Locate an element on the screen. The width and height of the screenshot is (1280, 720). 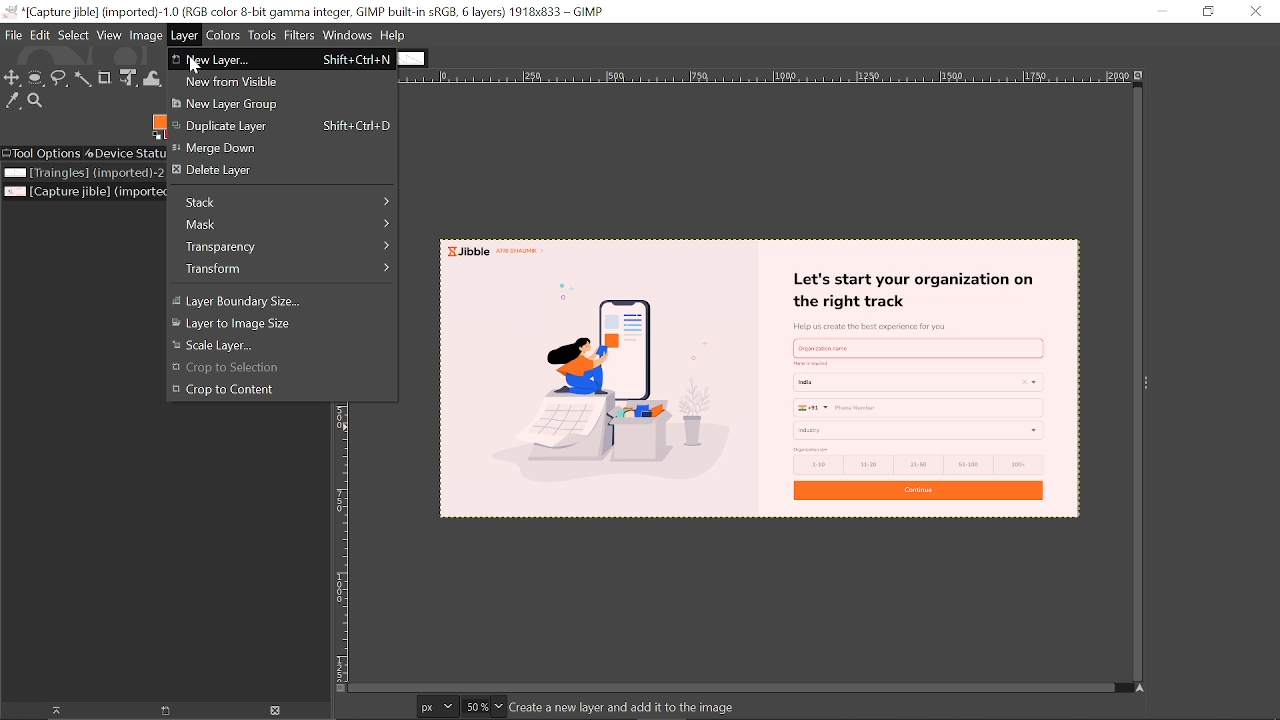
Tools is located at coordinates (261, 35).